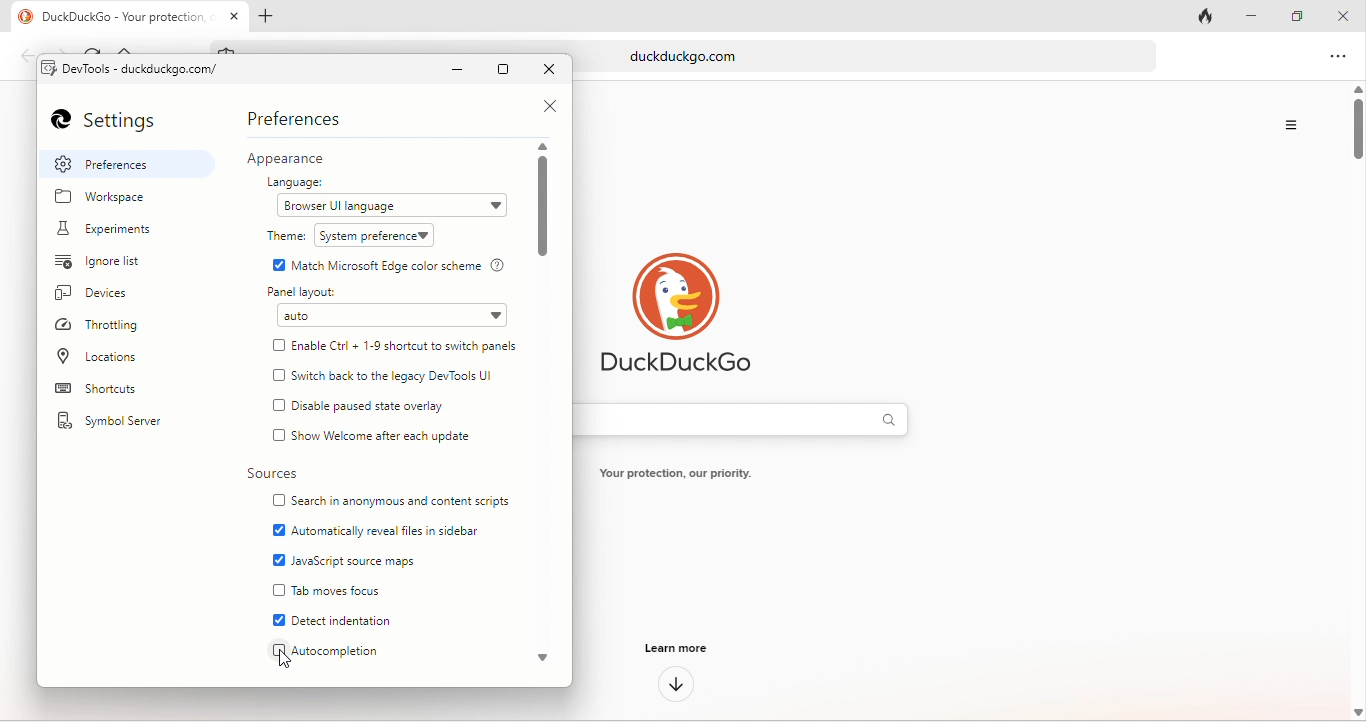 This screenshot has width=1366, height=722. Describe the element at coordinates (111, 200) in the screenshot. I see `workspace` at that location.